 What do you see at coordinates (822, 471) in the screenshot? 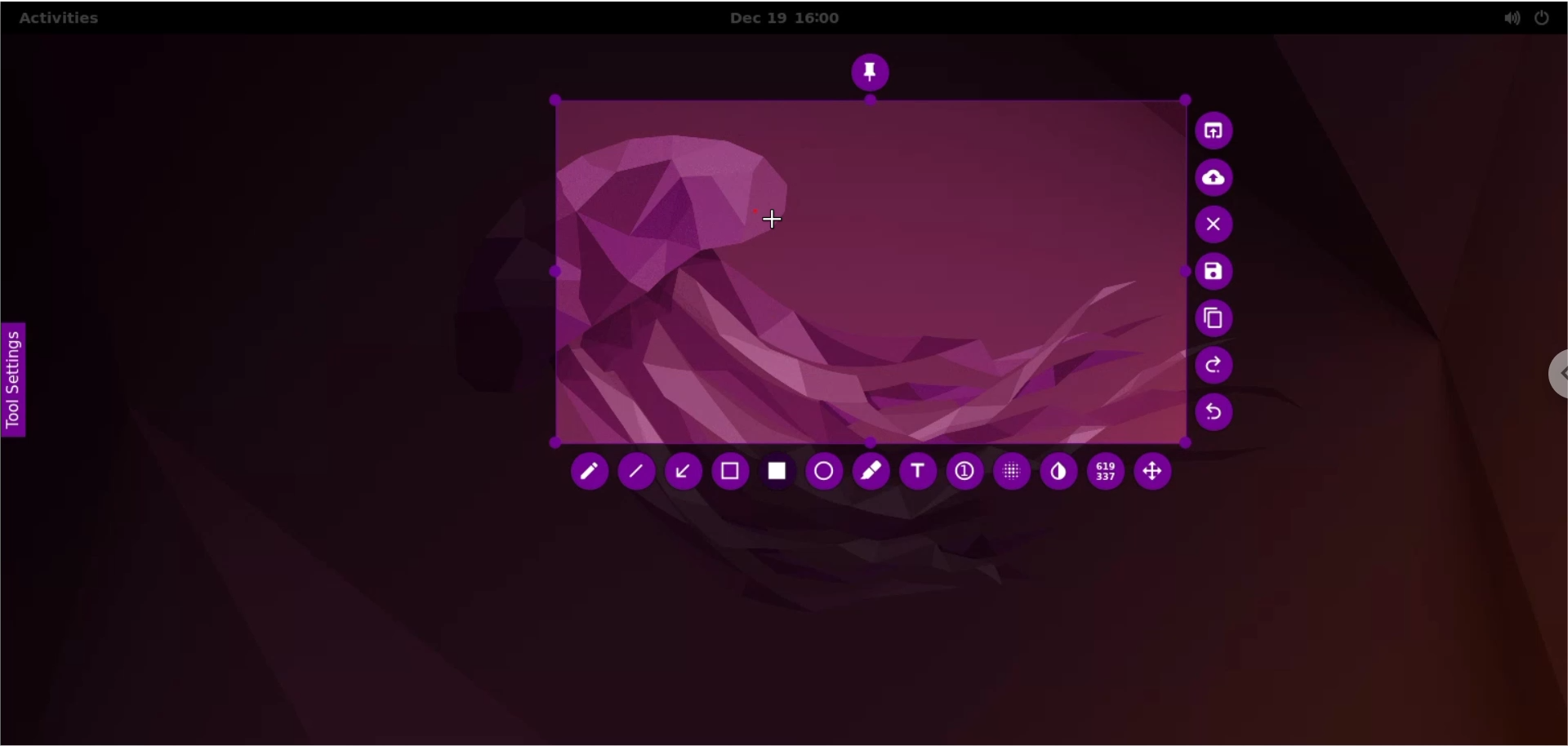
I see `ellipse` at bounding box center [822, 471].